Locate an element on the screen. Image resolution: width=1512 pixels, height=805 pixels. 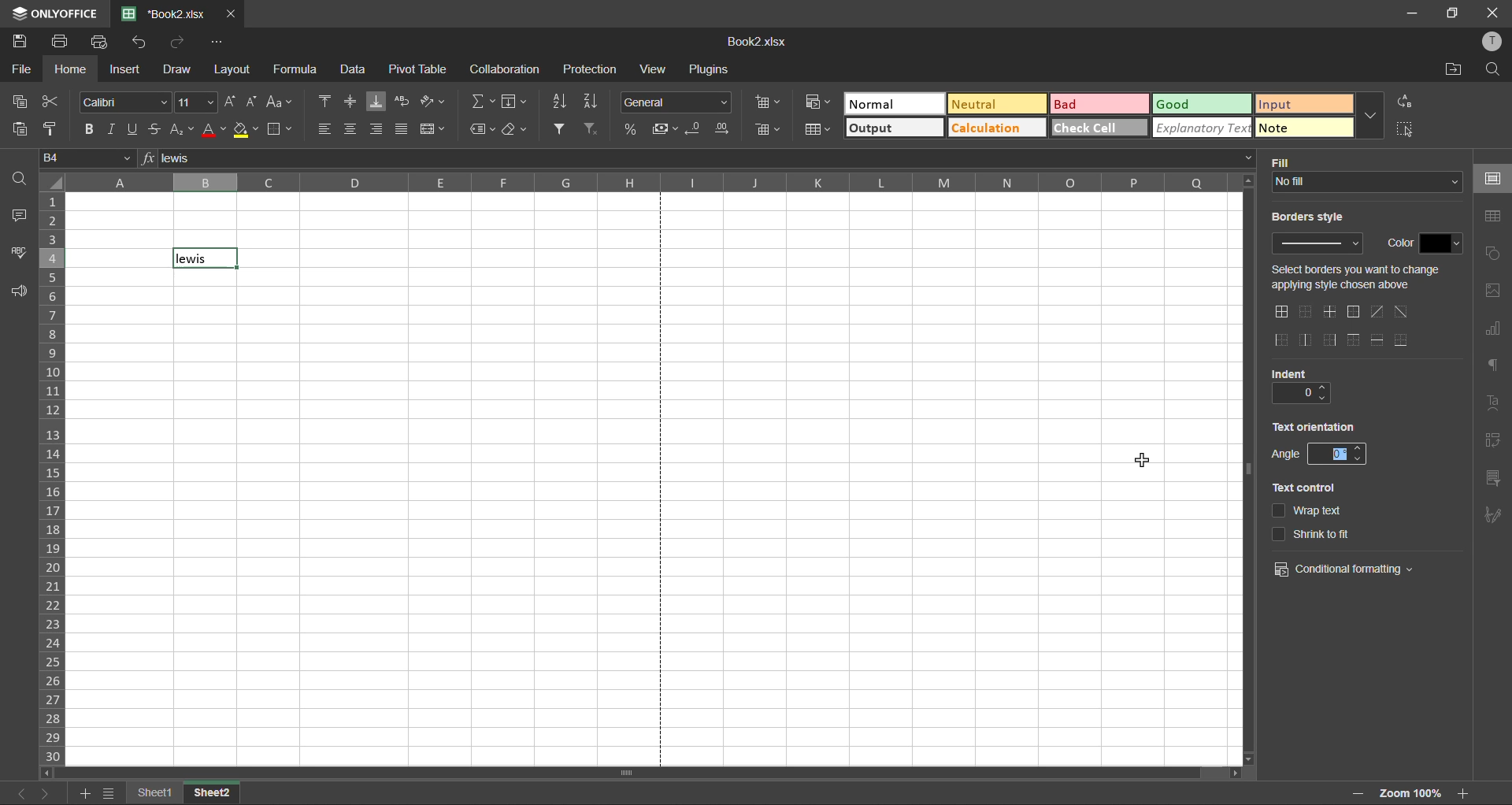
shapes is located at coordinates (1492, 255).